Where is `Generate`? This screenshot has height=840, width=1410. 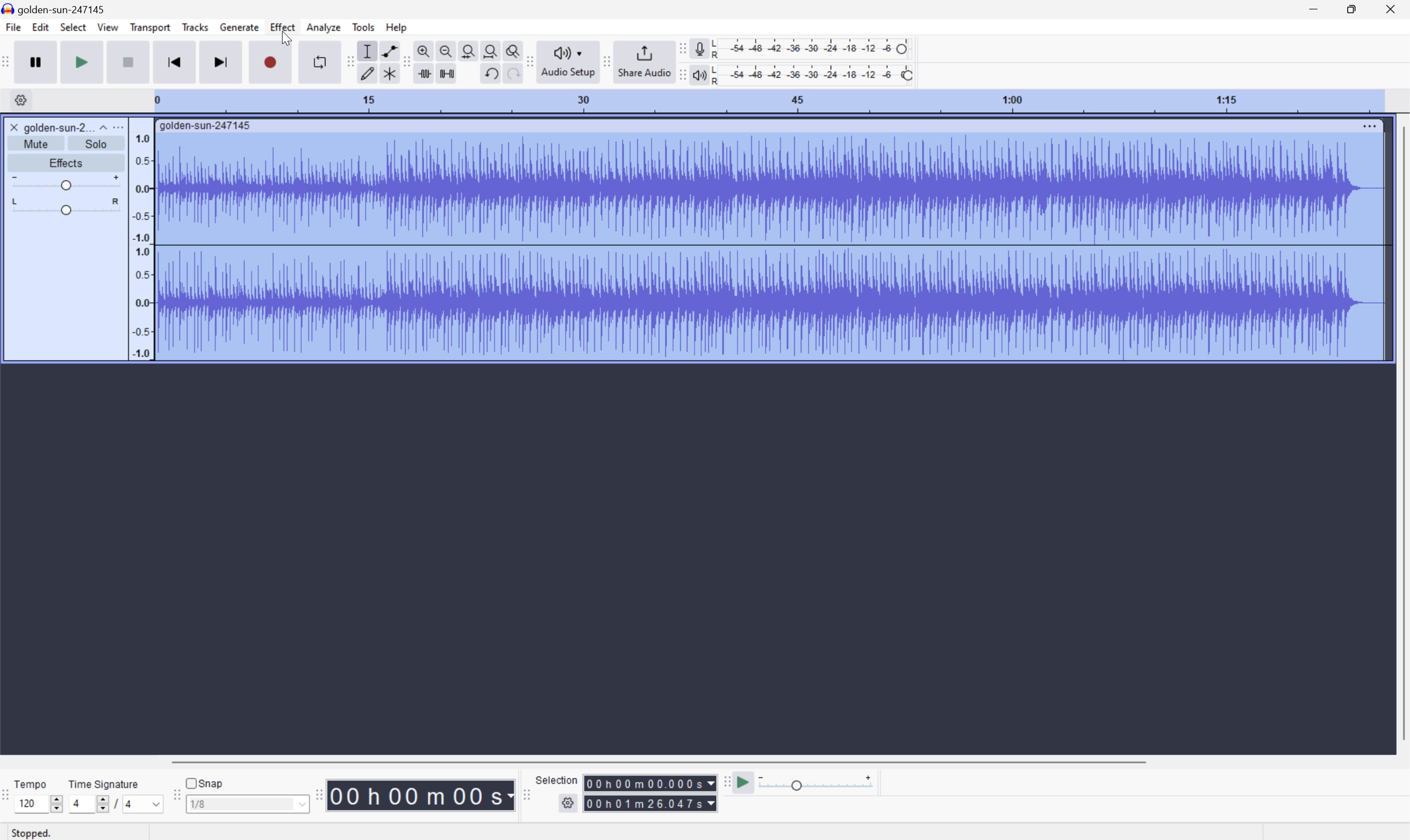 Generate is located at coordinates (241, 28).